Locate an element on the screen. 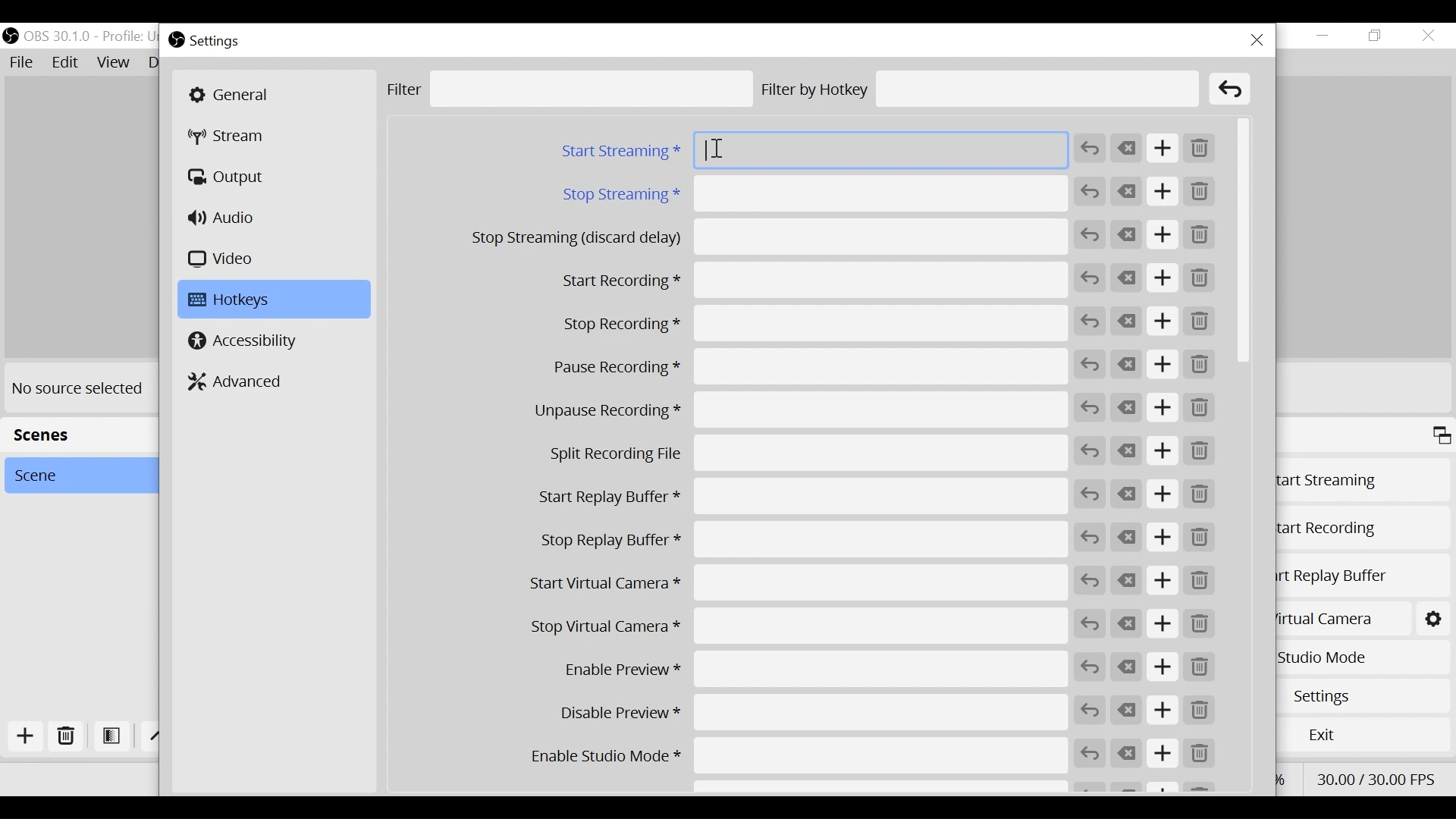  Insertion cursor is located at coordinates (717, 149).